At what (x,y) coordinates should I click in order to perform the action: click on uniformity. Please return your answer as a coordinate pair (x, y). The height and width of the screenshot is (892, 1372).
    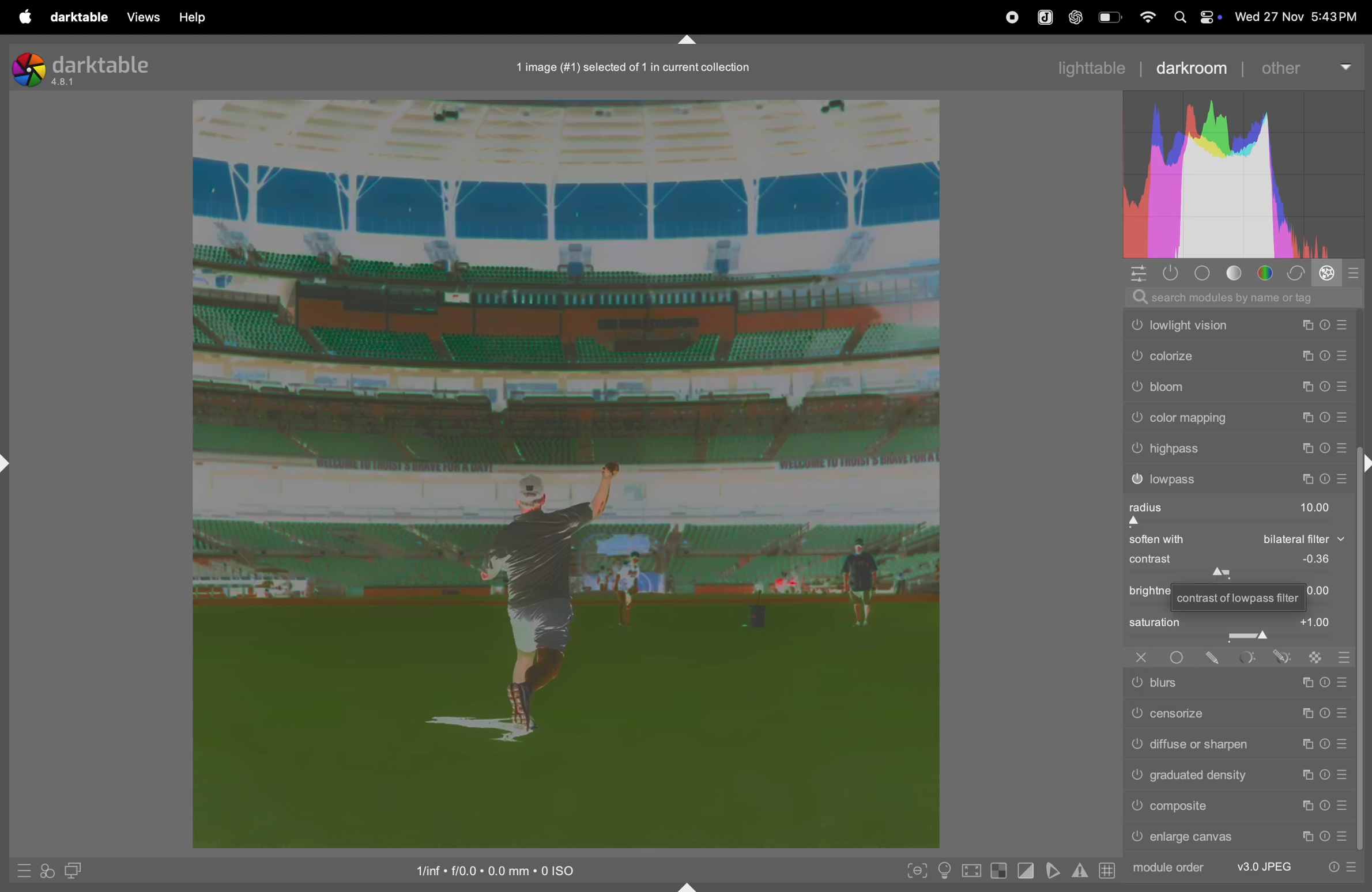
    Looking at the image, I should click on (1179, 658).